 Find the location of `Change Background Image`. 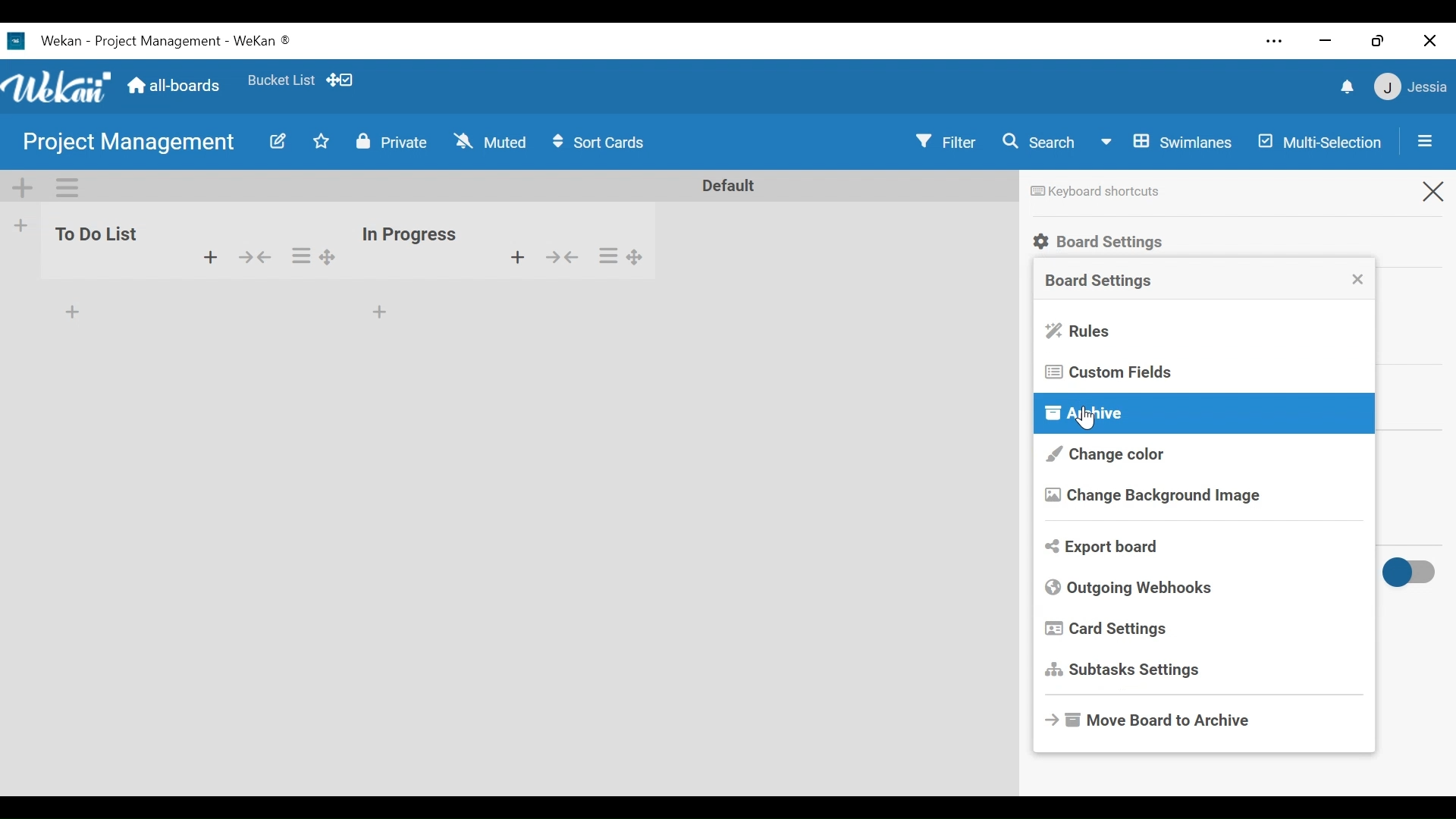

Change Background Image is located at coordinates (1150, 494).